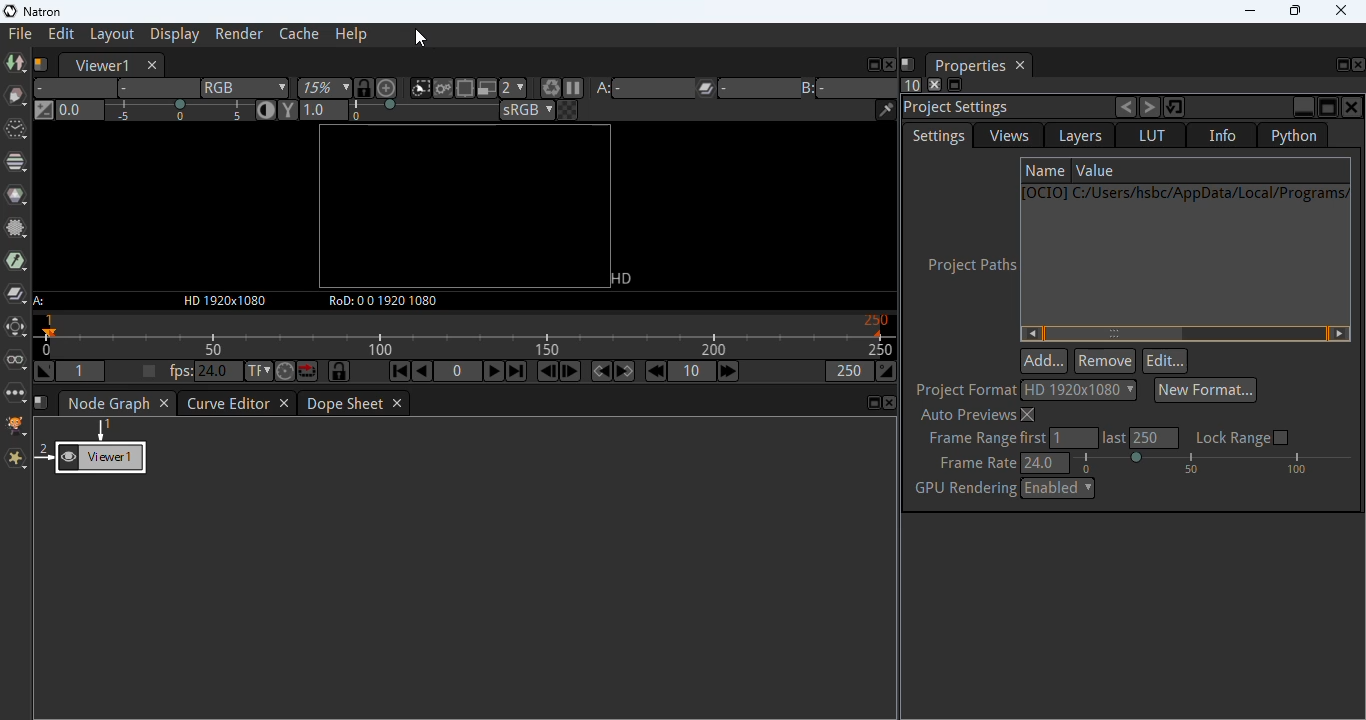  I want to click on when checked, the viewer will render the image in its entirety and not just the visible portion, so click(442, 88).